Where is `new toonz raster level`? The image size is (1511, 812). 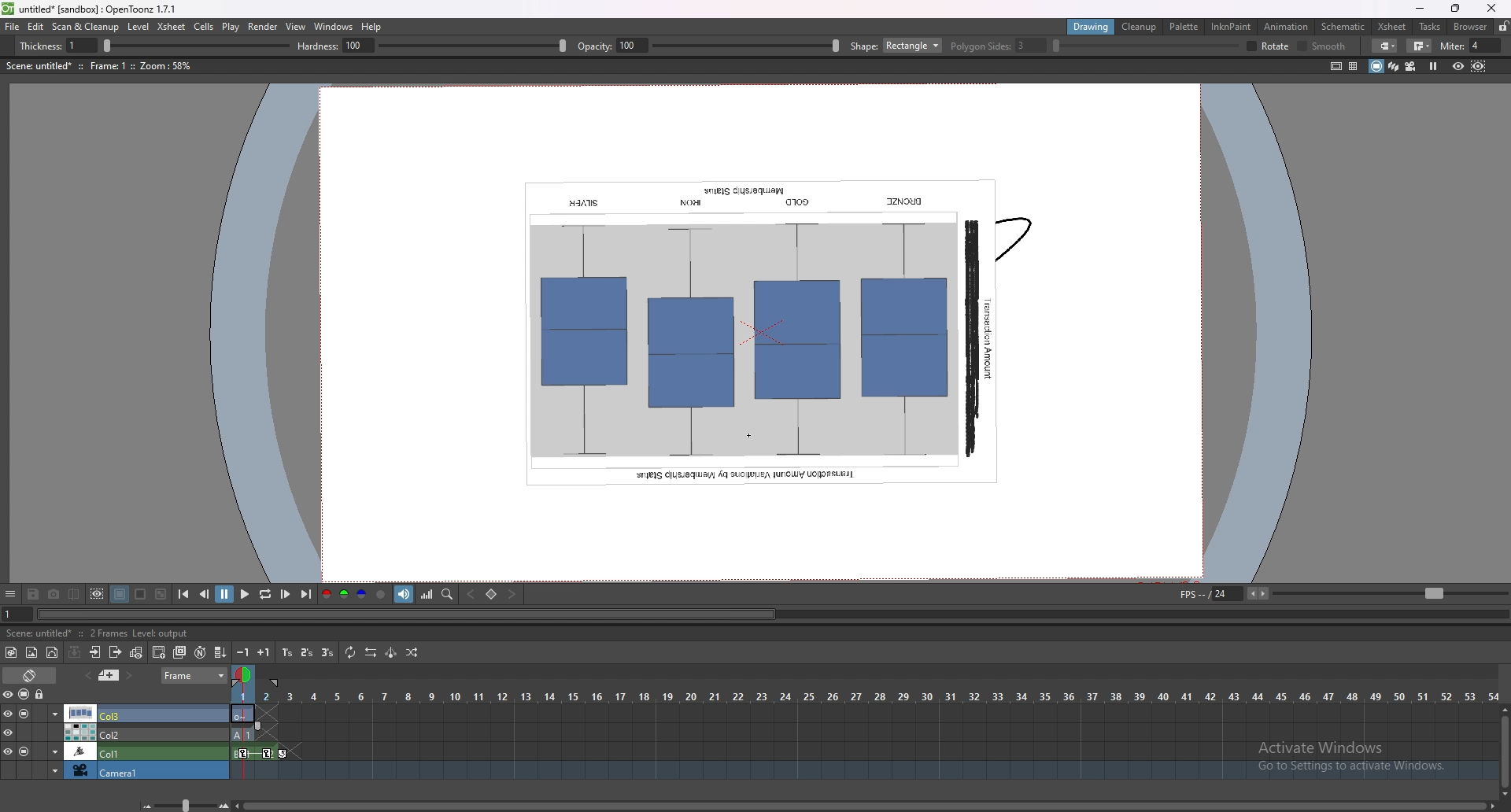
new toonz raster level is located at coordinates (12, 652).